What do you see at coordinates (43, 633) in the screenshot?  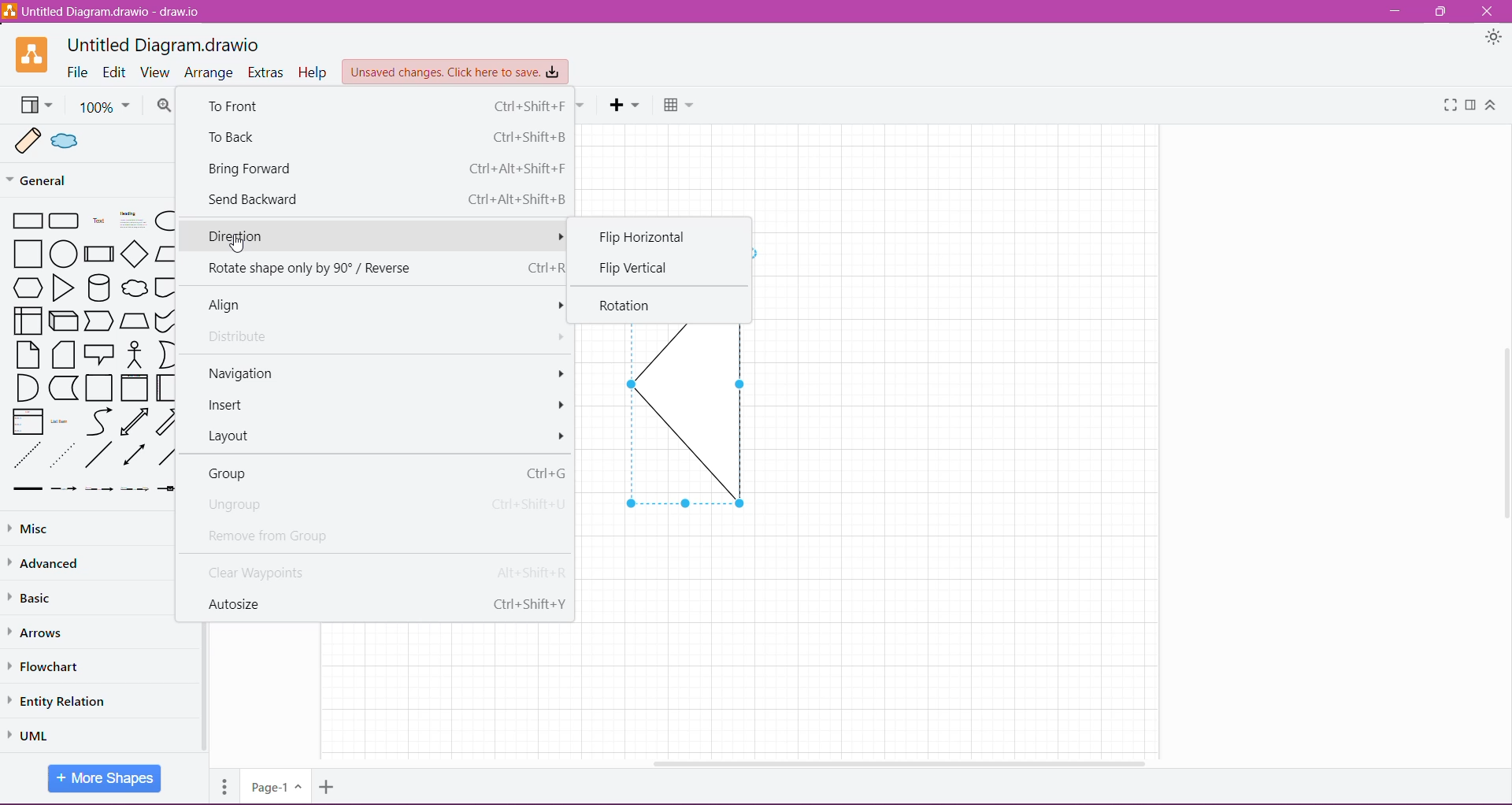 I see `Arrows` at bounding box center [43, 633].